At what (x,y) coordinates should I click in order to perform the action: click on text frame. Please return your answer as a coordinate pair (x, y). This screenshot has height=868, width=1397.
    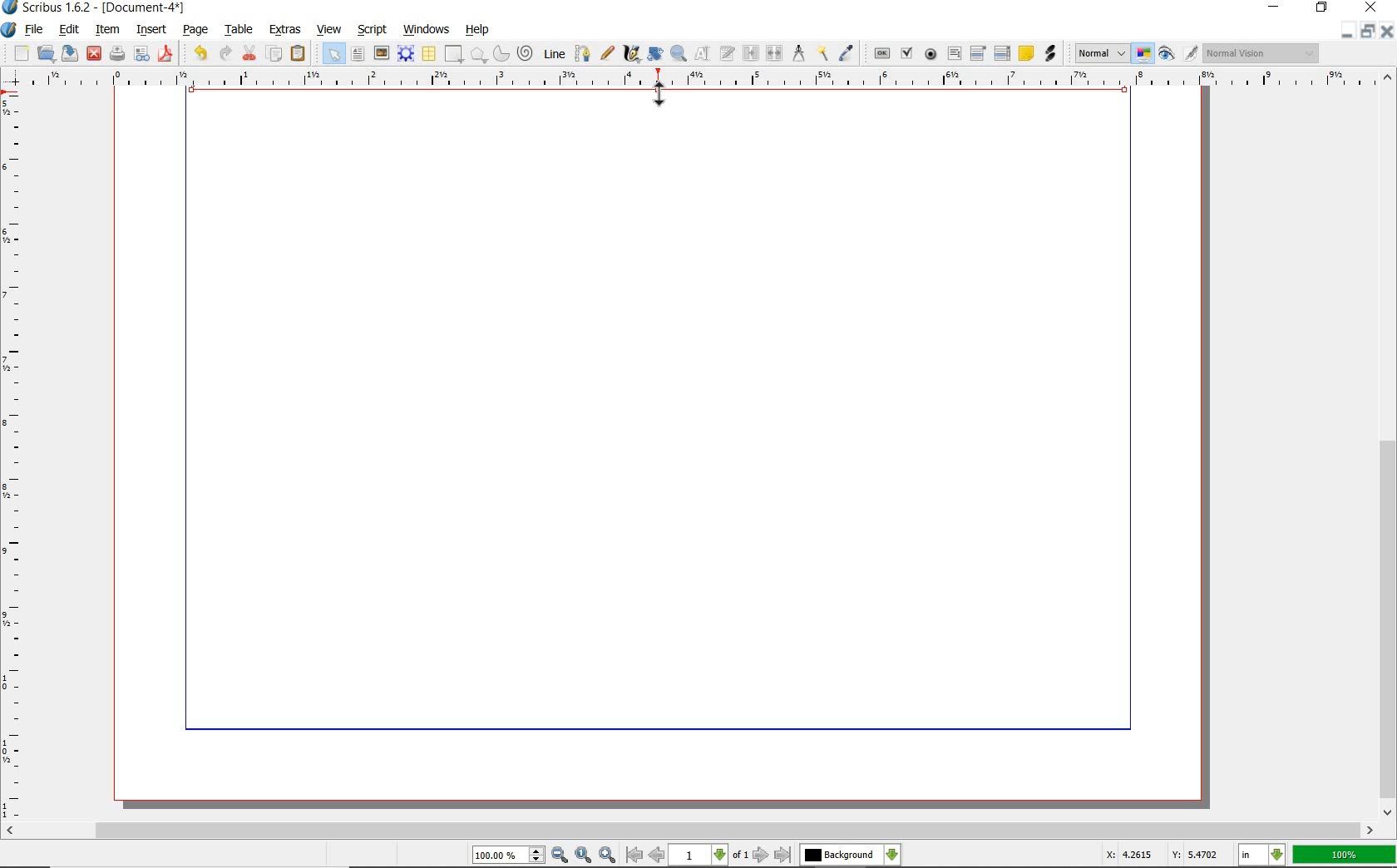
    Looking at the image, I should click on (358, 56).